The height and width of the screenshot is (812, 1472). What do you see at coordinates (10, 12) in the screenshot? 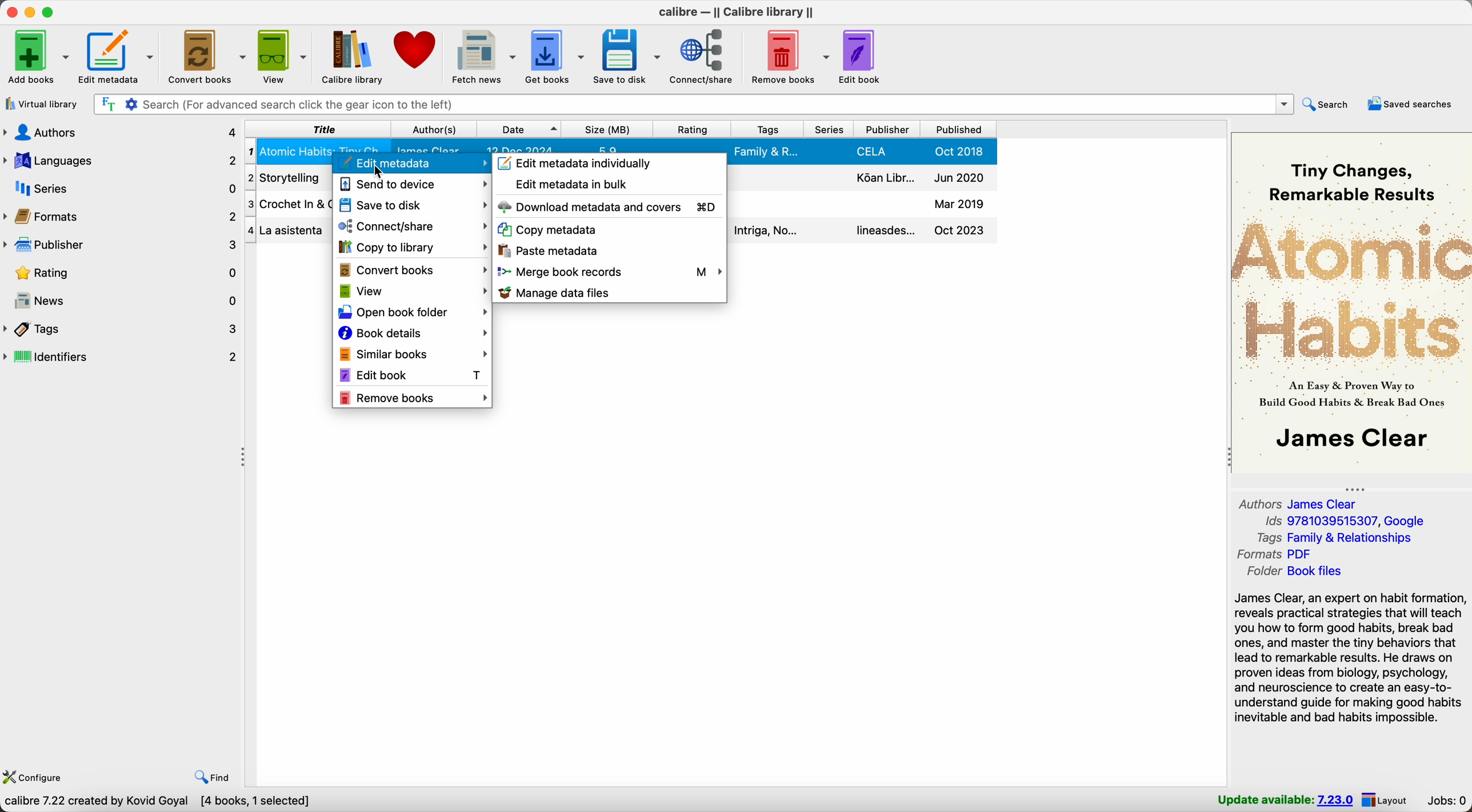
I see `close program` at bounding box center [10, 12].